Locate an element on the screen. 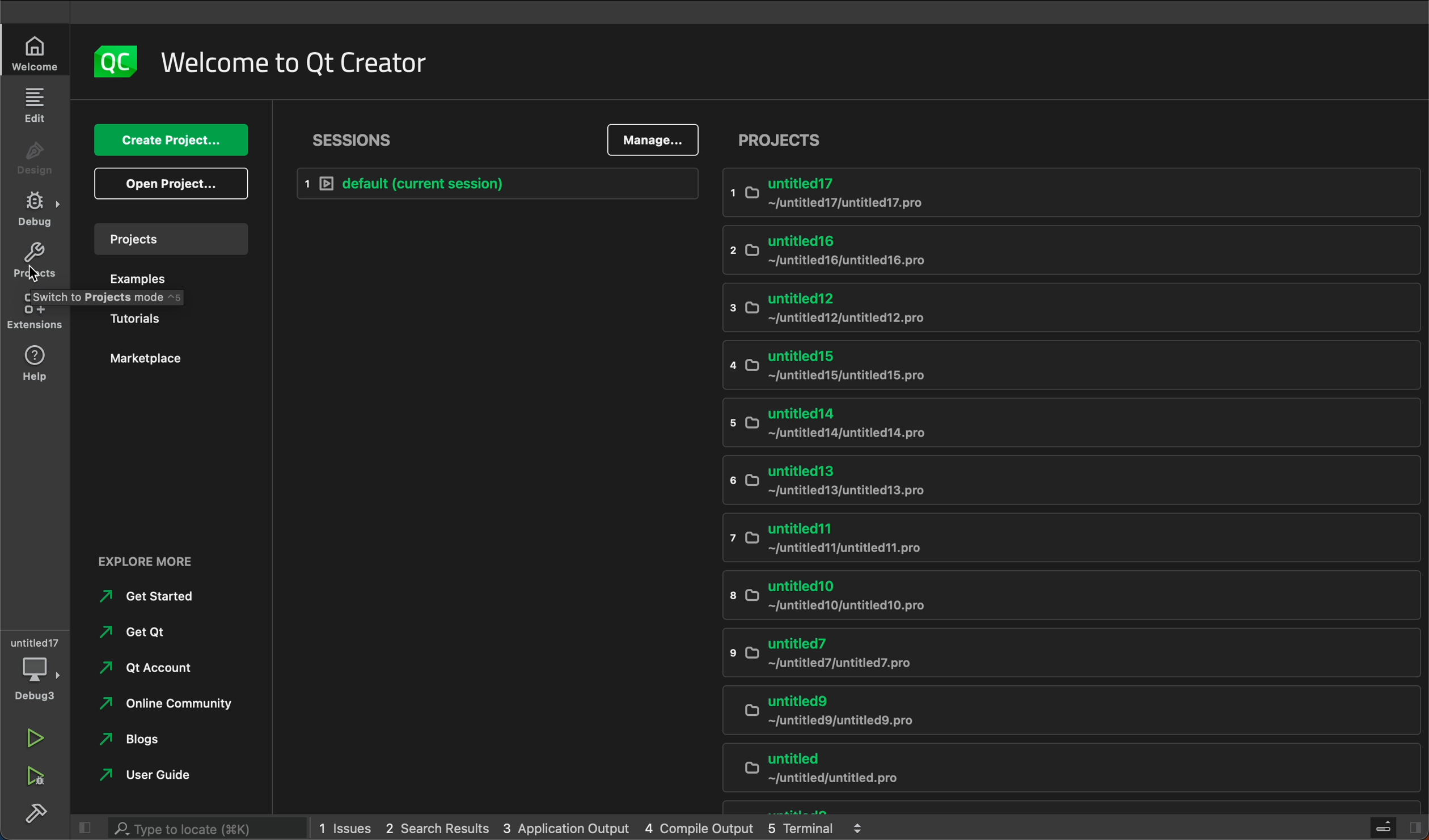  external links is located at coordinates (172, 562).